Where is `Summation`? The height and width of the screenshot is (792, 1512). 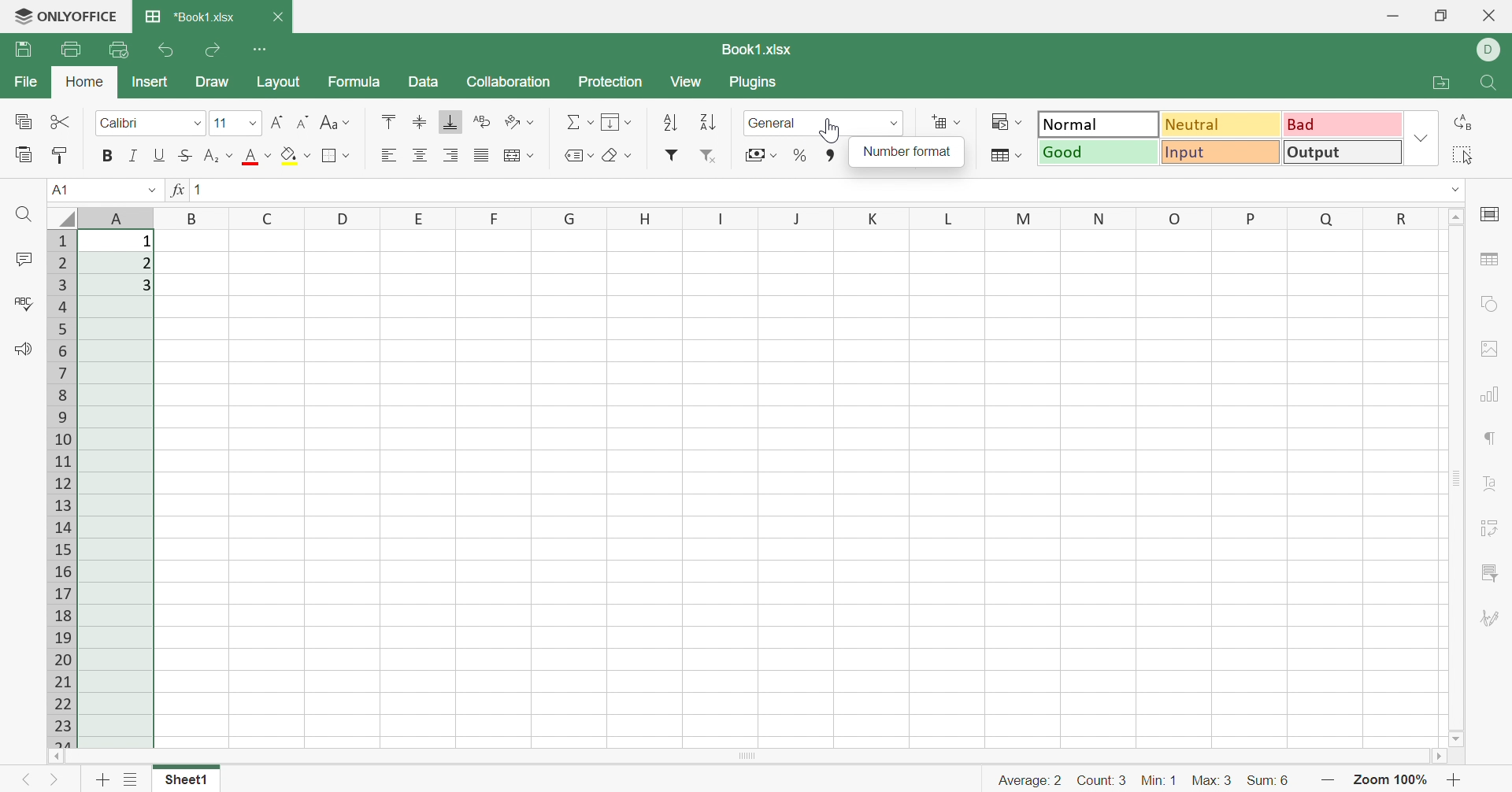 Summation is located at coordinates (580, 123).